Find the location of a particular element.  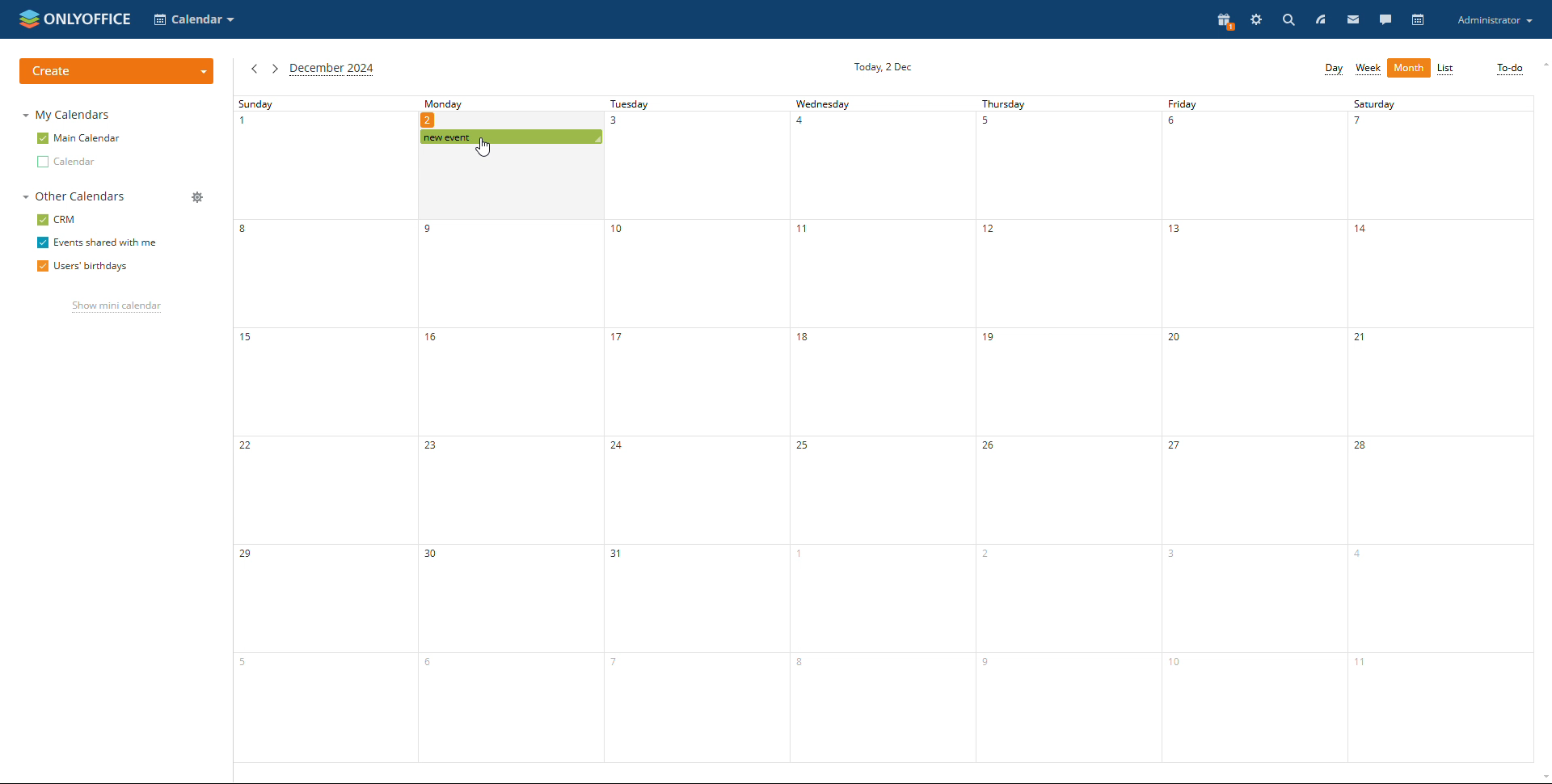

friday is located at coordinates (1250, 429).